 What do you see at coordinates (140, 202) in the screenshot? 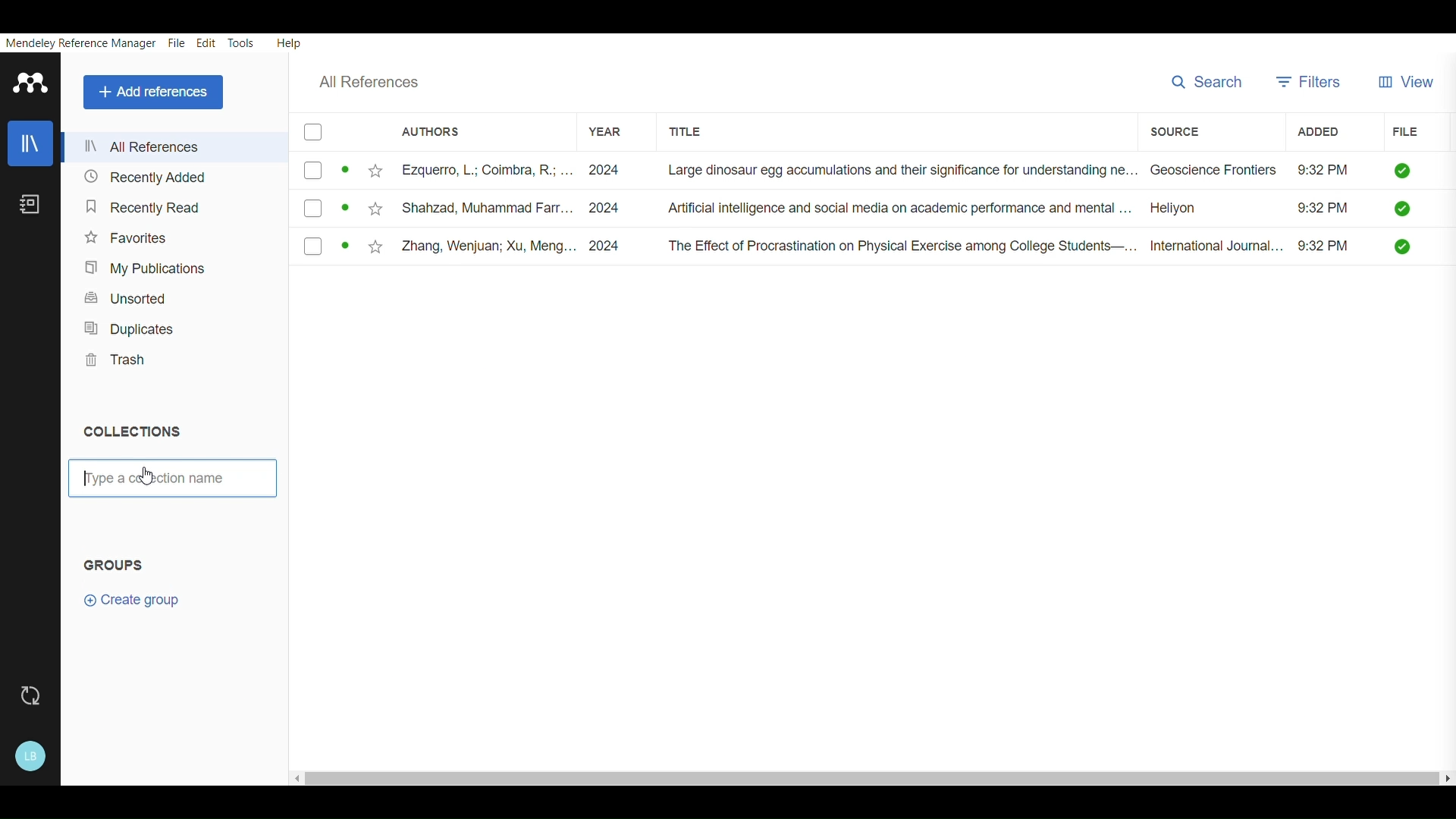
I see `Recently Read` at bounding box center [140, 202].